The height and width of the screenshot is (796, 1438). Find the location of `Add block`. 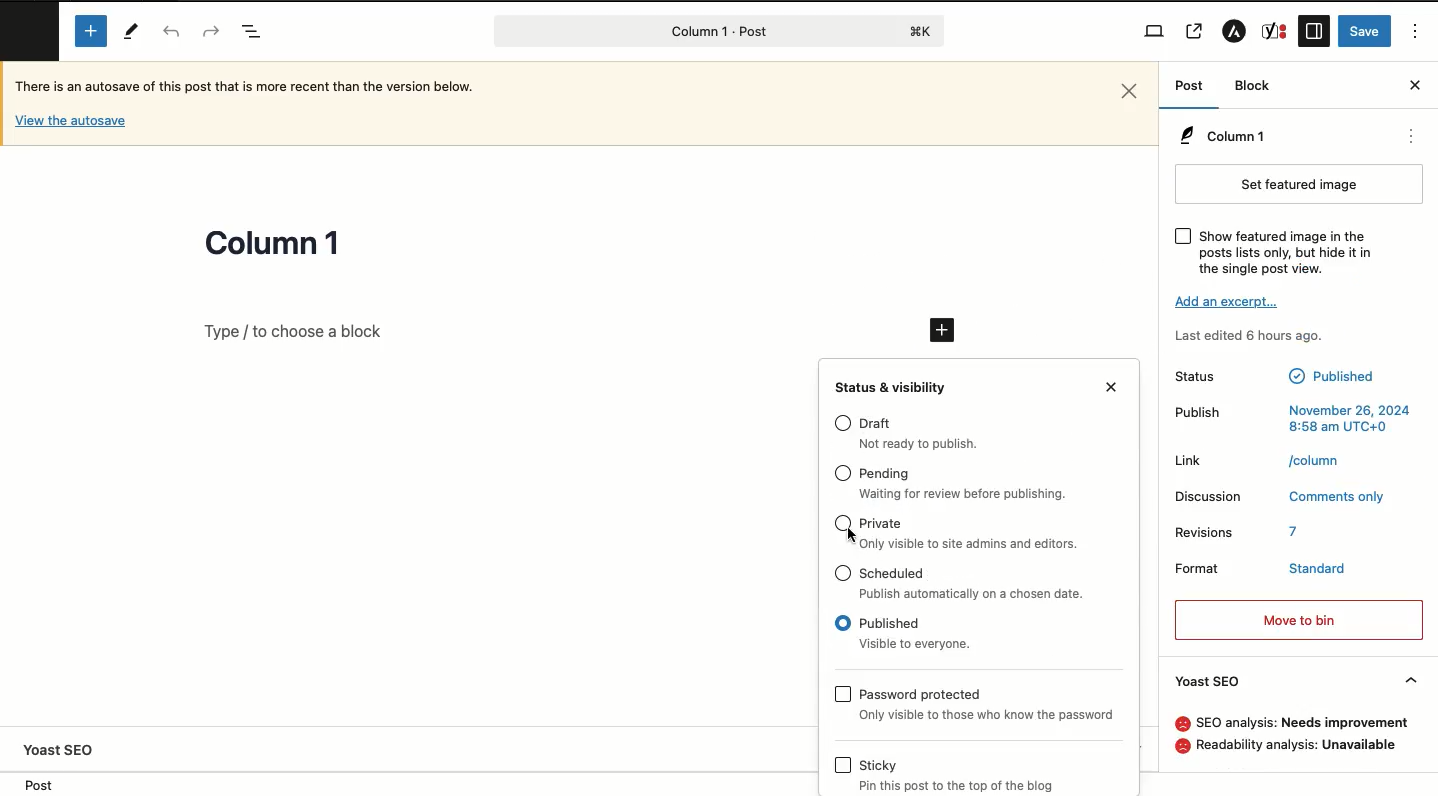

Add block is located at coordinates (944, 330).